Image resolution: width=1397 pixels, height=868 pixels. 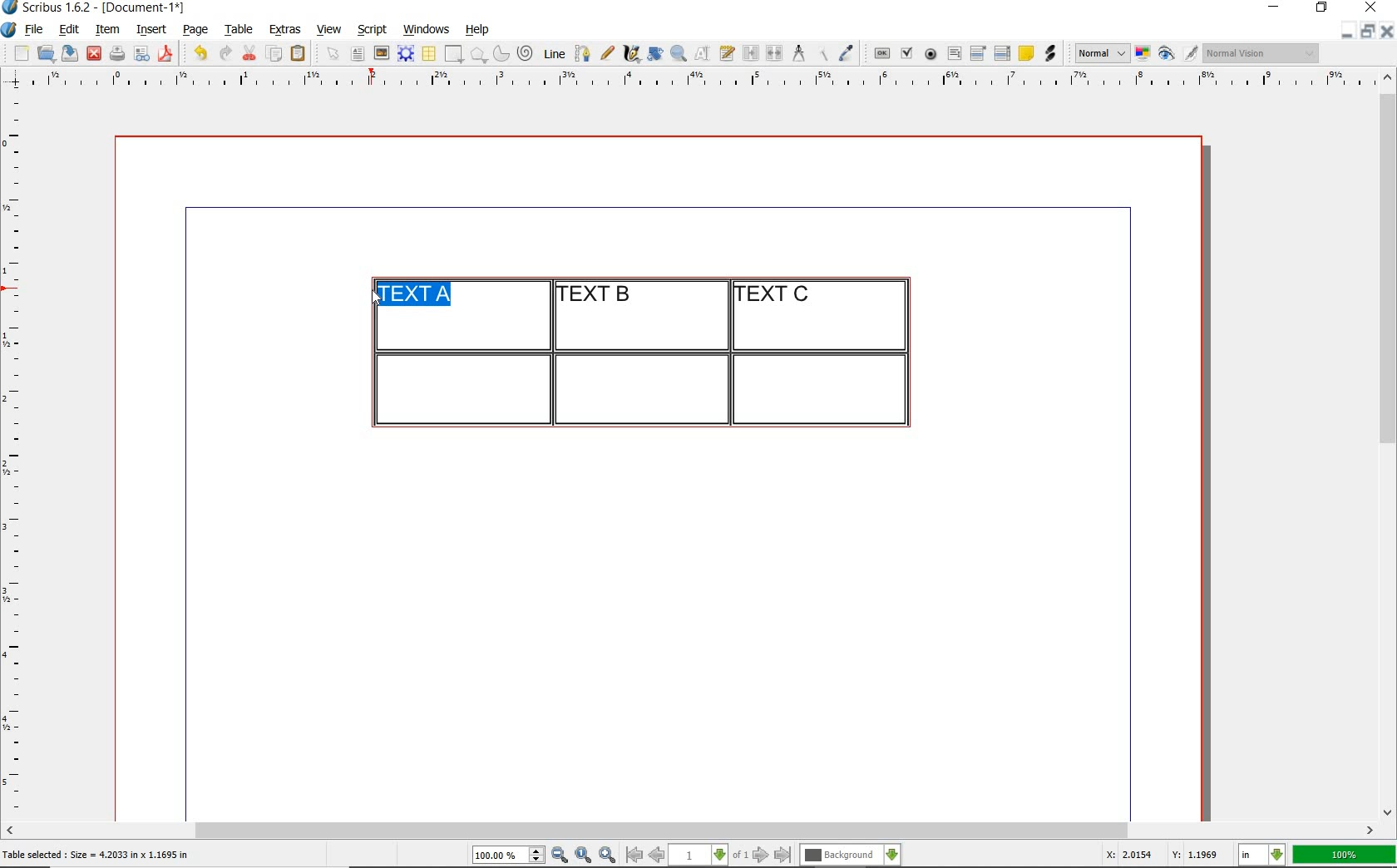 What do you see at coordinates (1345, 855) in the screenshot?
I see `100%` at bounding box center [1345, 855].